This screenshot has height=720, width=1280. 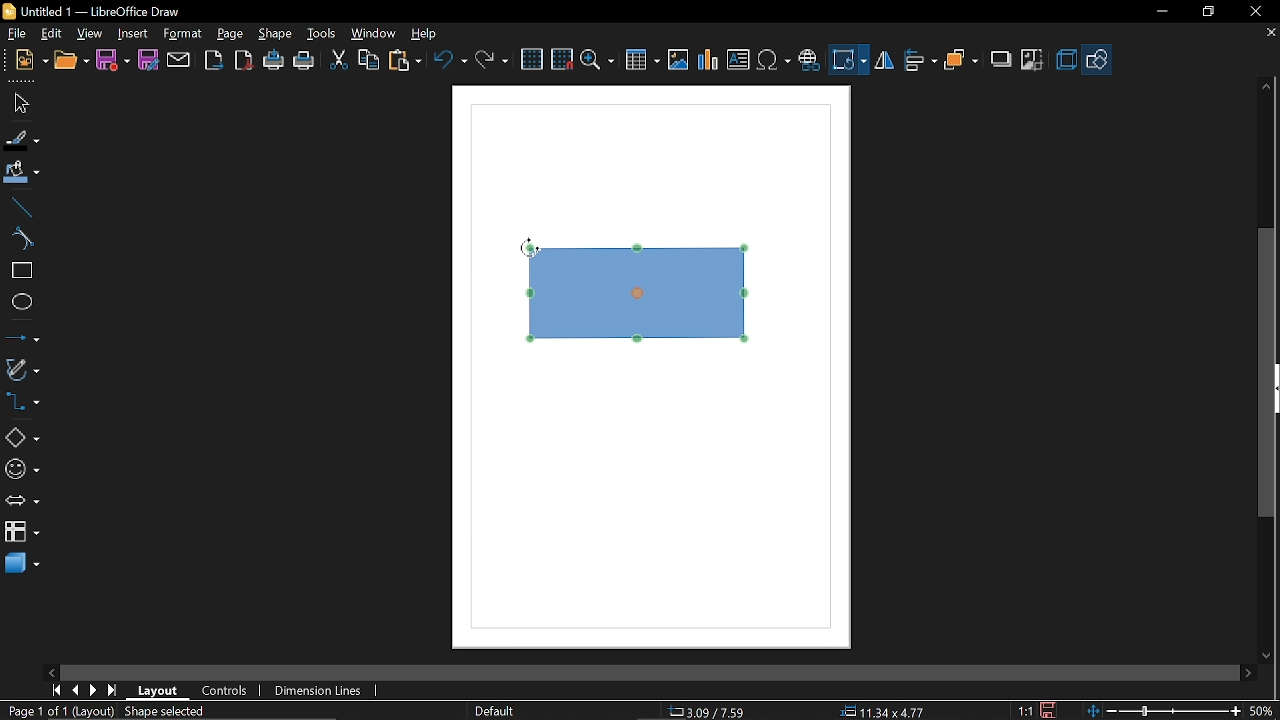 What do you see at coordinates (20, 271) in the screenshot?
I see `rectangle` at bounding box center [20, 271].